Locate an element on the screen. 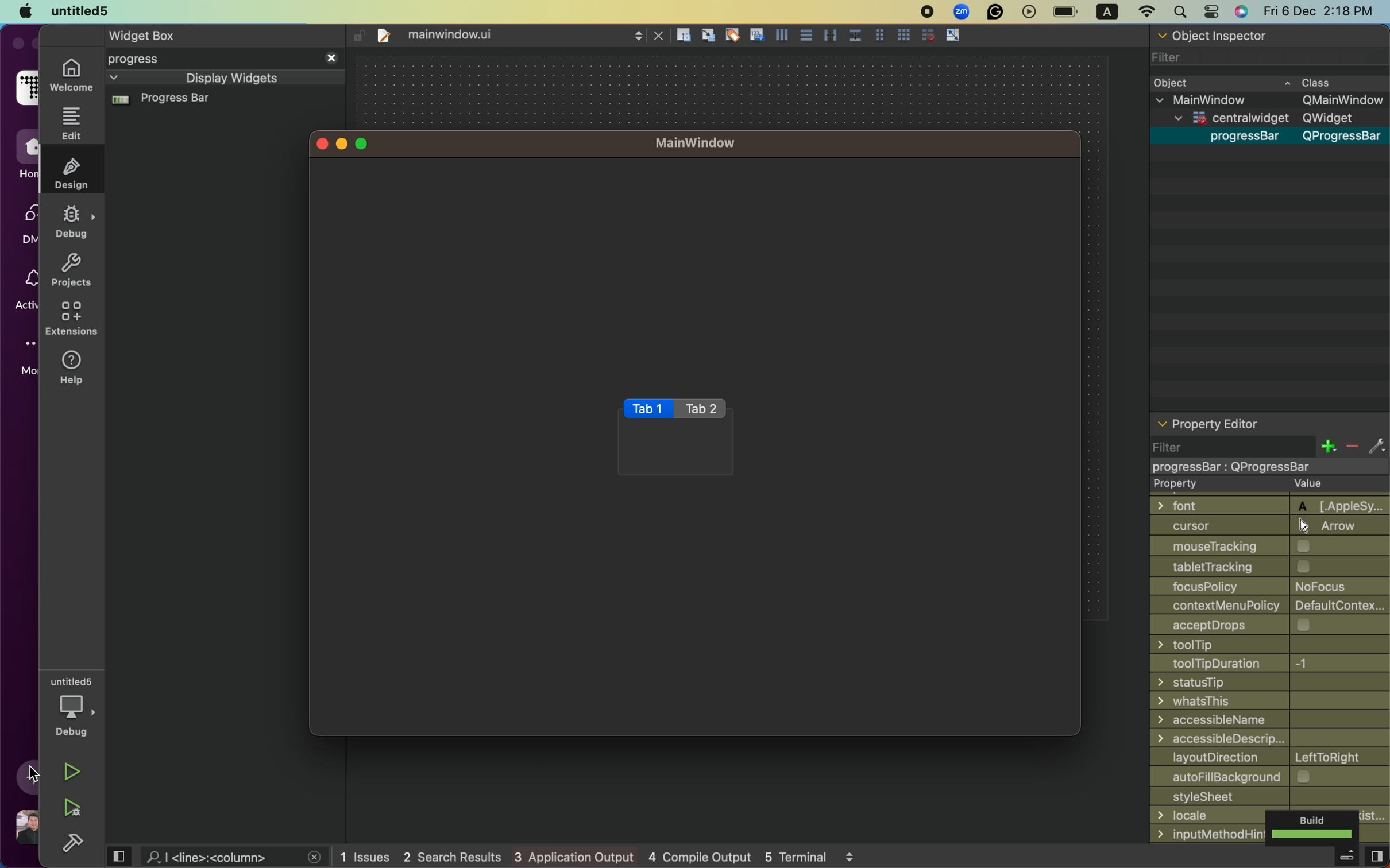  insert text  is located at coordinates (758, 36).